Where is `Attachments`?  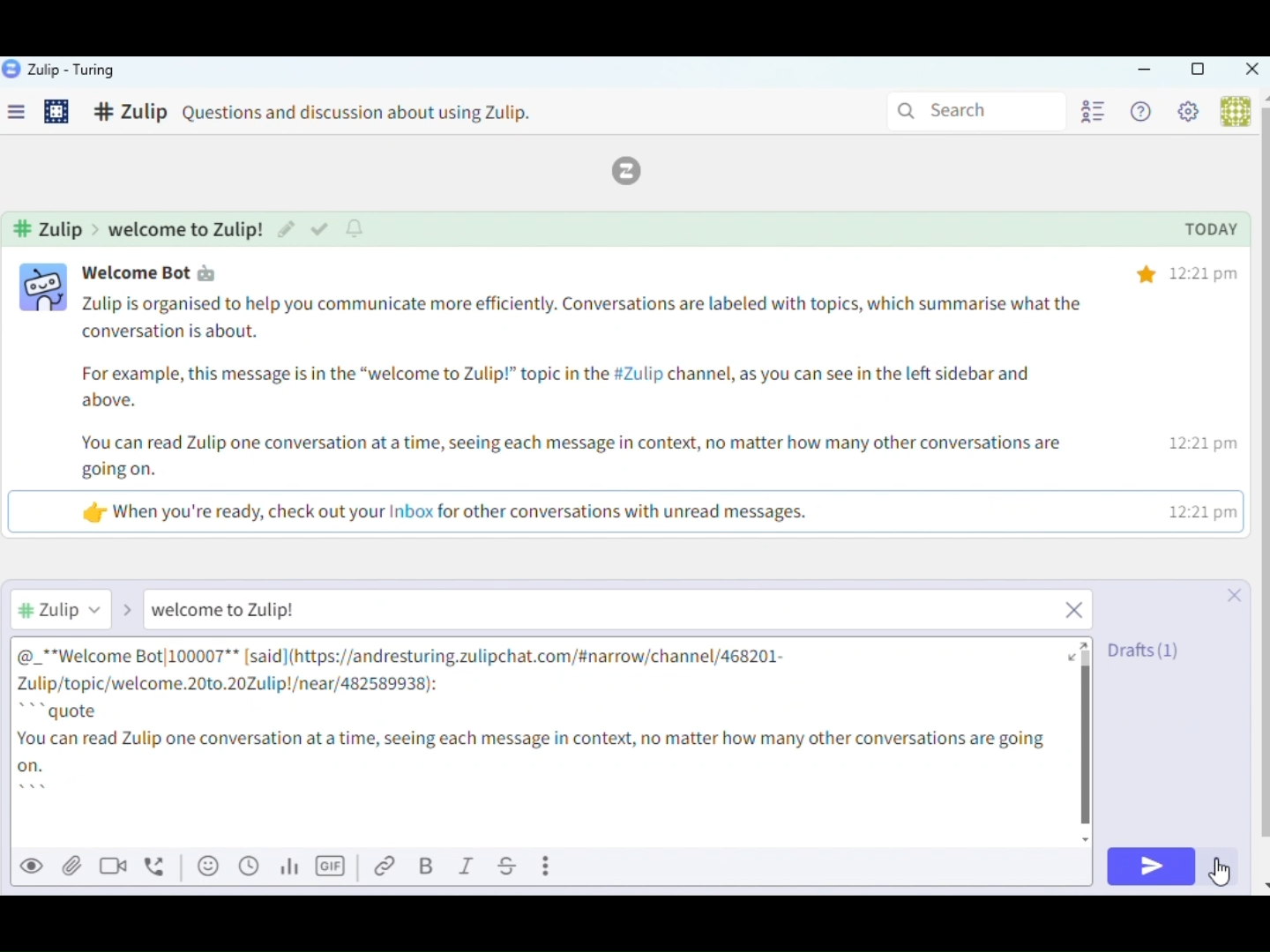 Attachments is located at coordinates (72, 866).